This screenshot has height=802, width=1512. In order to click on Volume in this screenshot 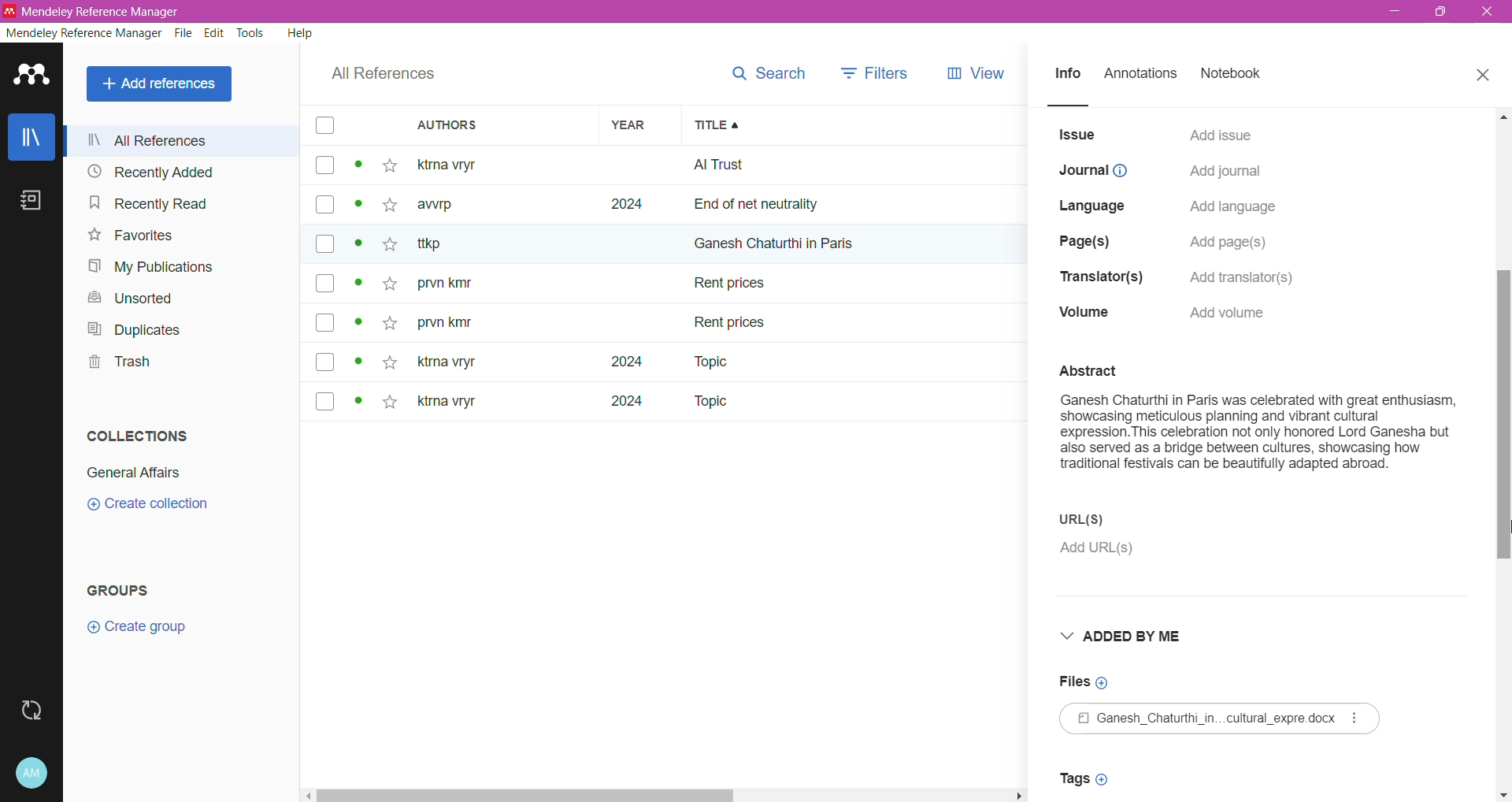, I will do `click(1084, 314)`.